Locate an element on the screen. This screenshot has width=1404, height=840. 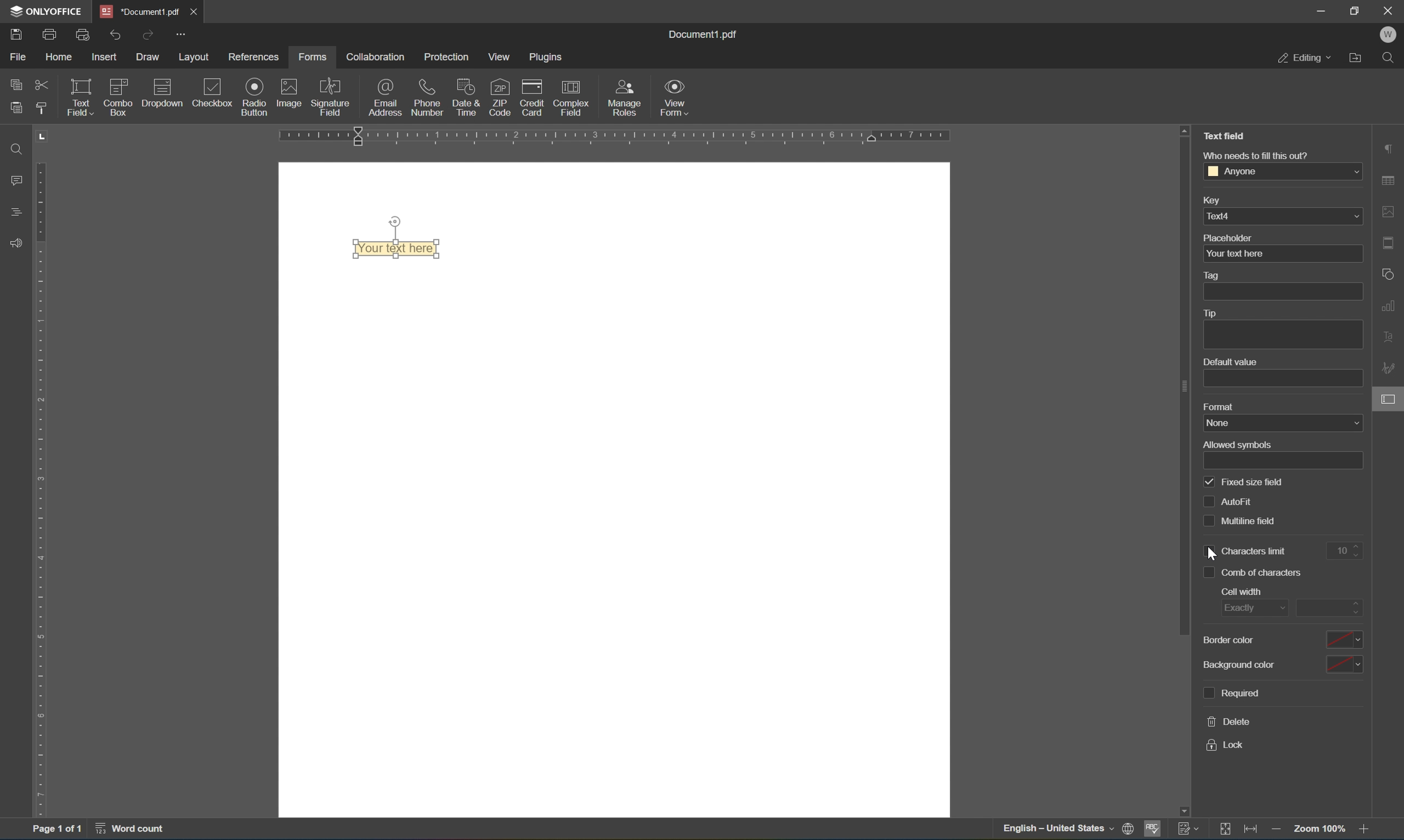
save is located at coordinates (17, 36).